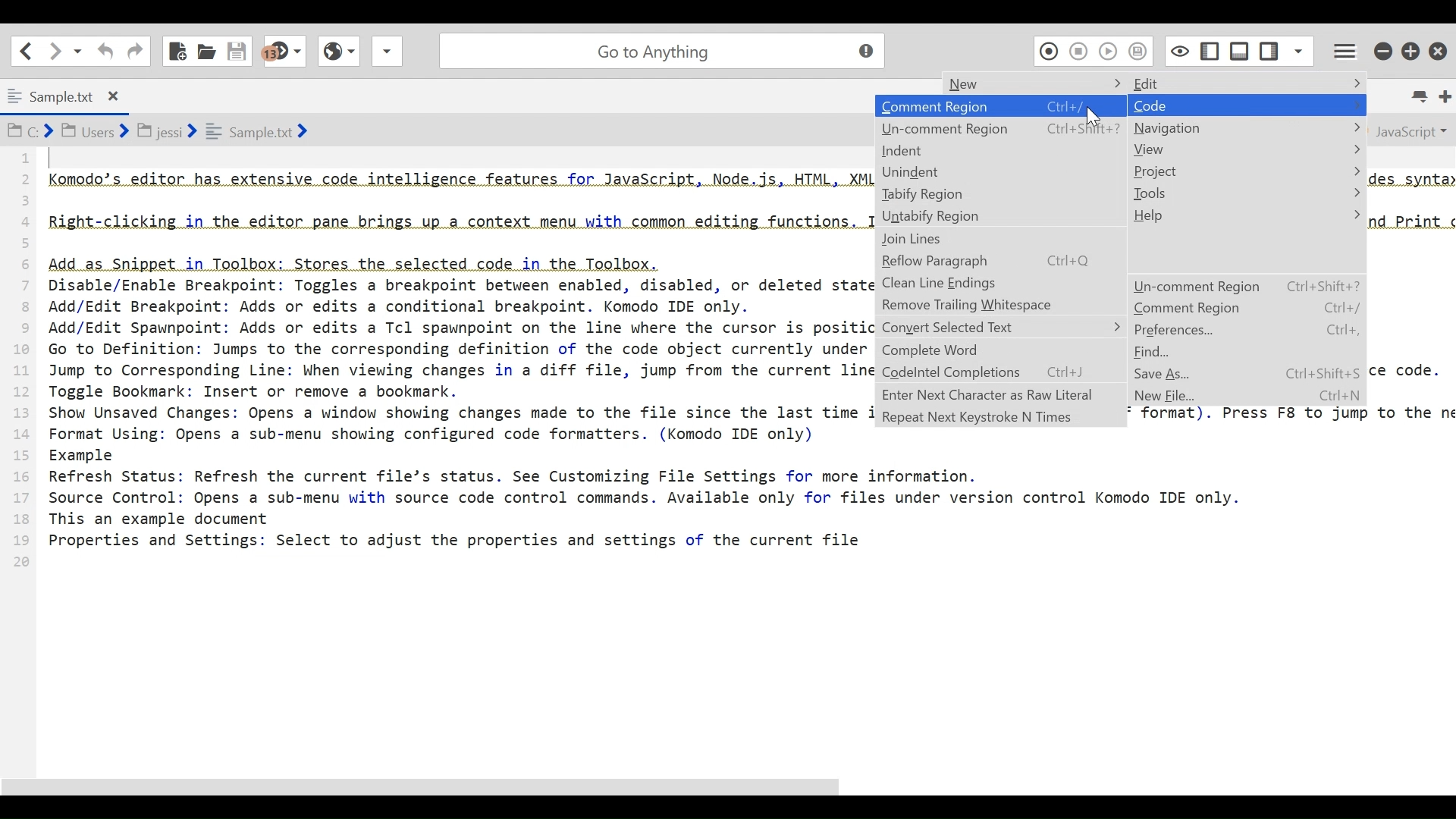 This screenshot has width=1456, height=819. I want to click on Show/Hide Right Side Panel, so click(1209, 49).